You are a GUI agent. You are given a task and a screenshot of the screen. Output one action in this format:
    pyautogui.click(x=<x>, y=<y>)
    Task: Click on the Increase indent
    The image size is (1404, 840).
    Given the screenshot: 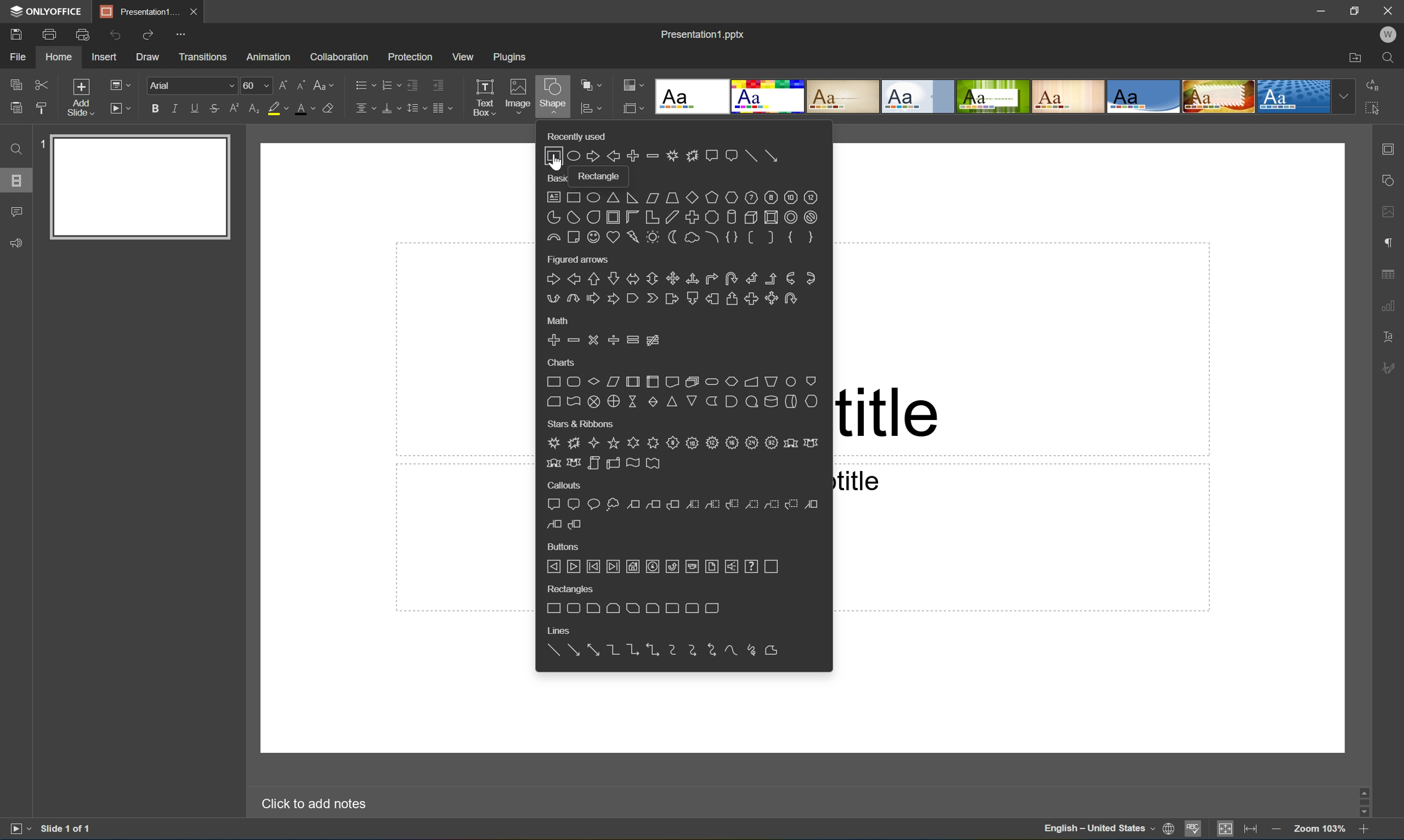 What is the action you would take?
    pyautogui.click(x=440, y=83)
    